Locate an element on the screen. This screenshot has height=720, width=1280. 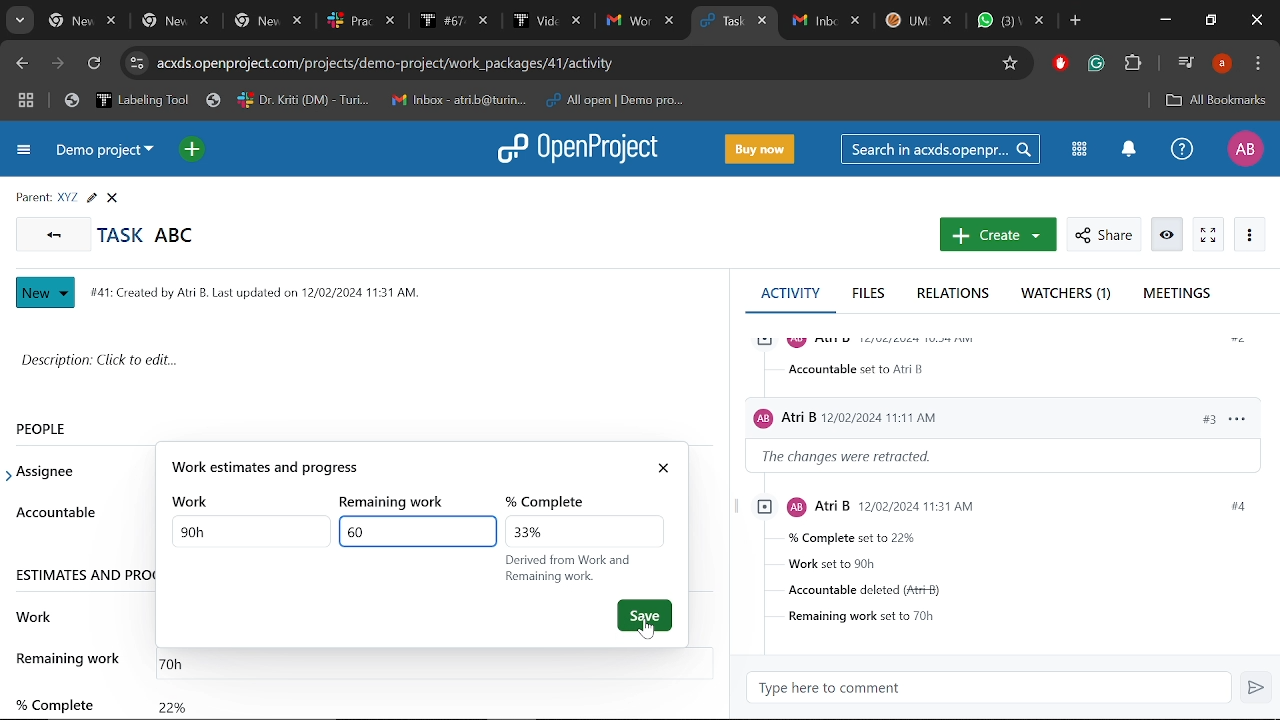
Add/remove bookmark is located at coordinates (1012, 61).